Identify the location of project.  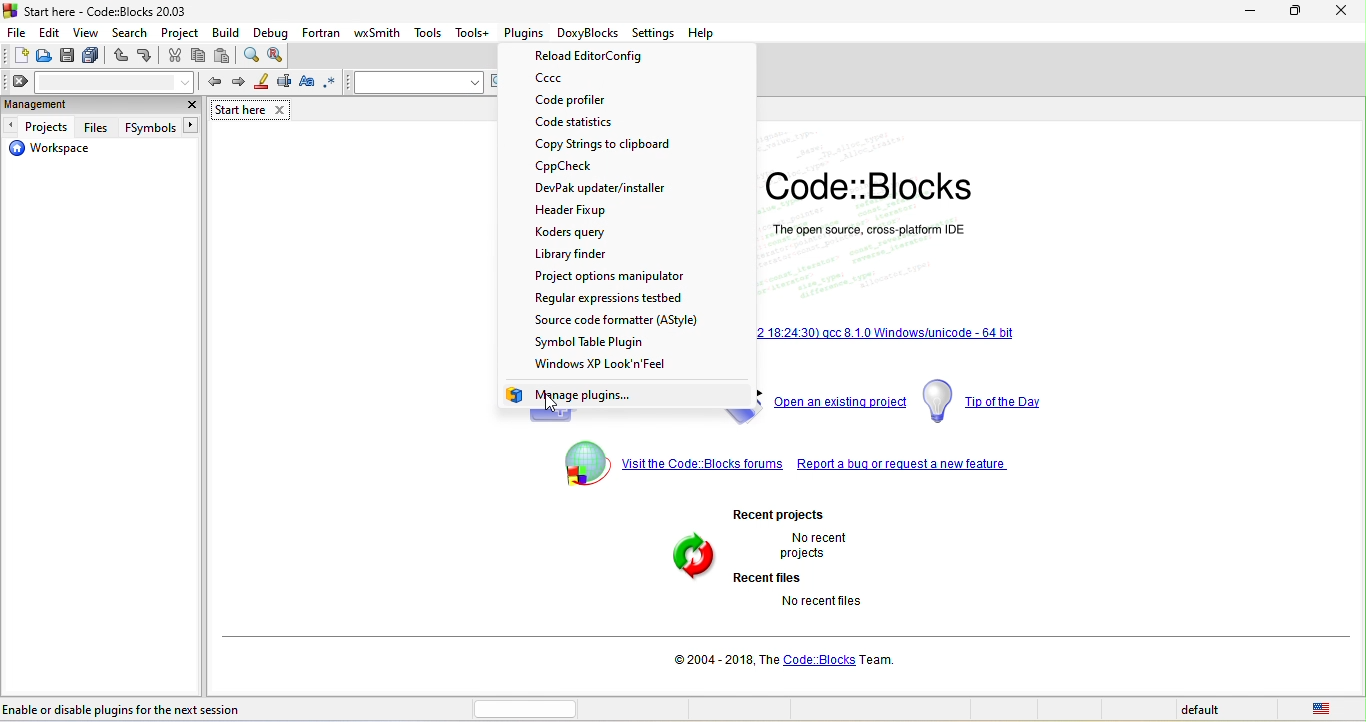
(175, 31).